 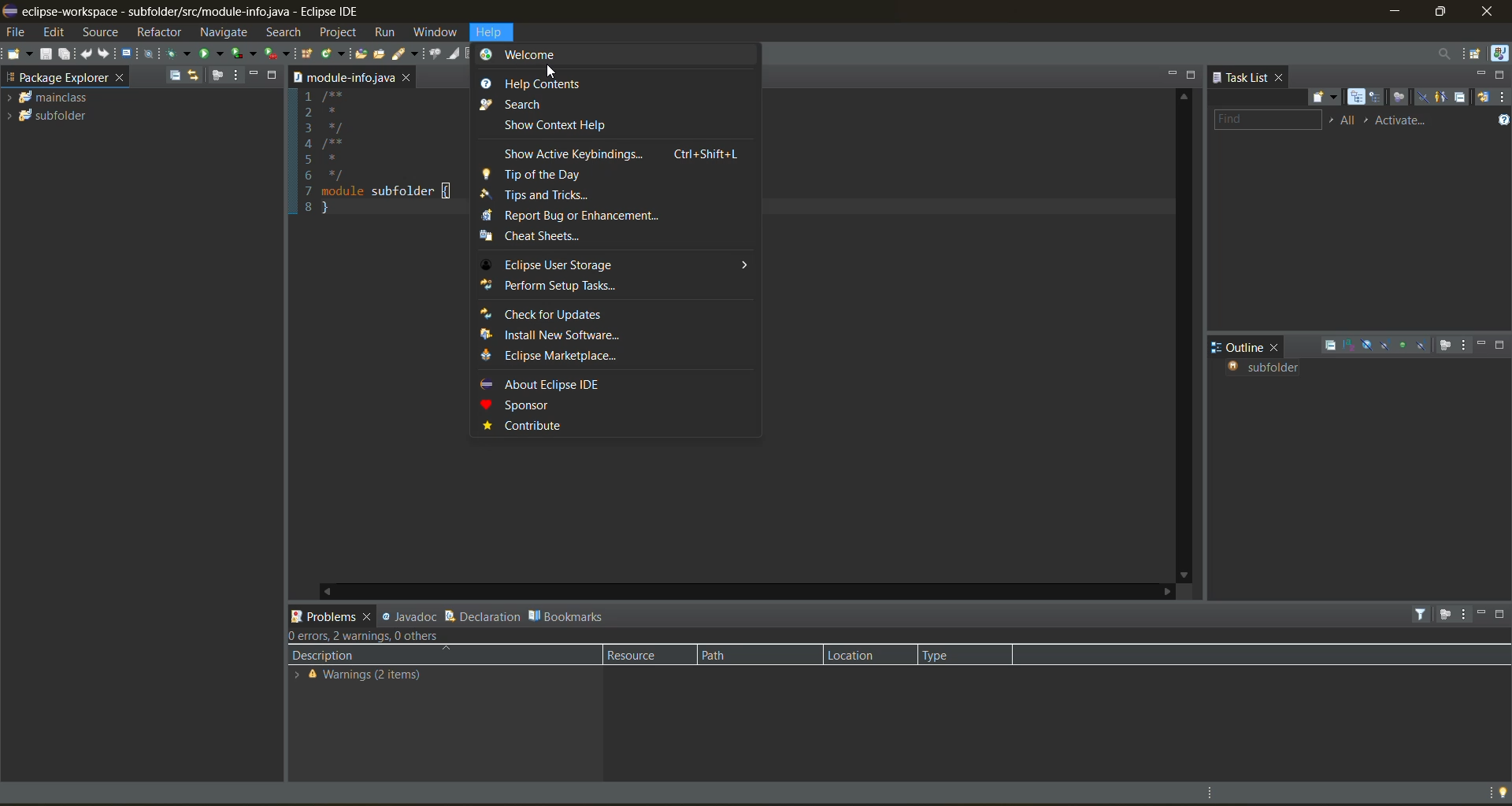 I want to click on task list, so click(x=1243, y=79).